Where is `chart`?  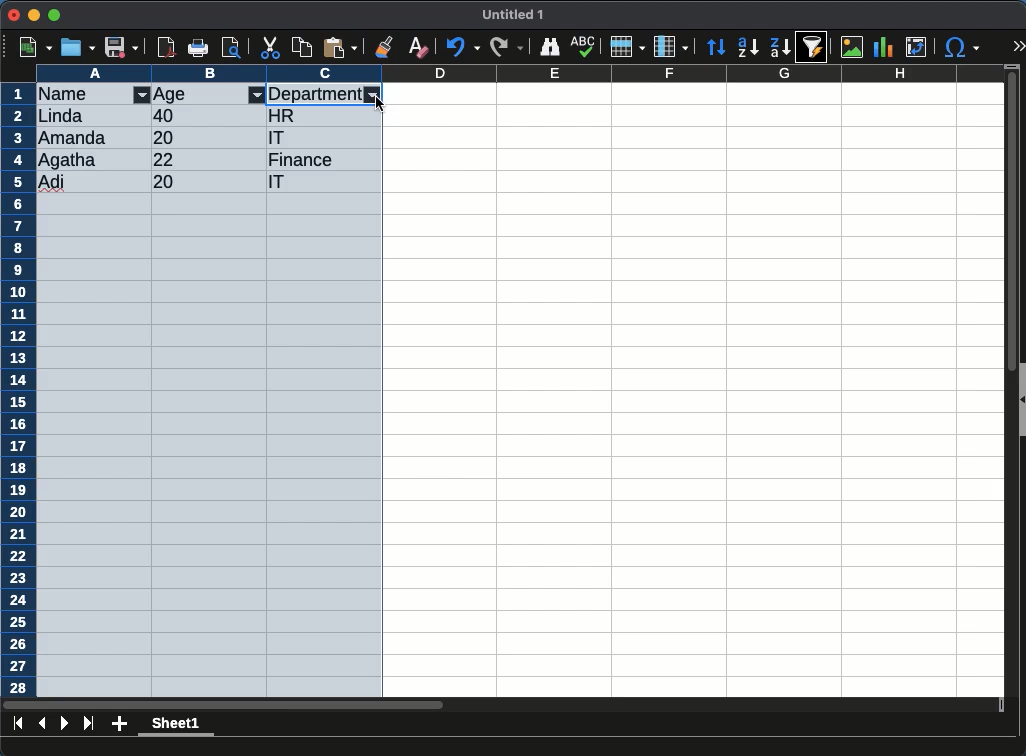
chart is located at coordinates (884, 47).